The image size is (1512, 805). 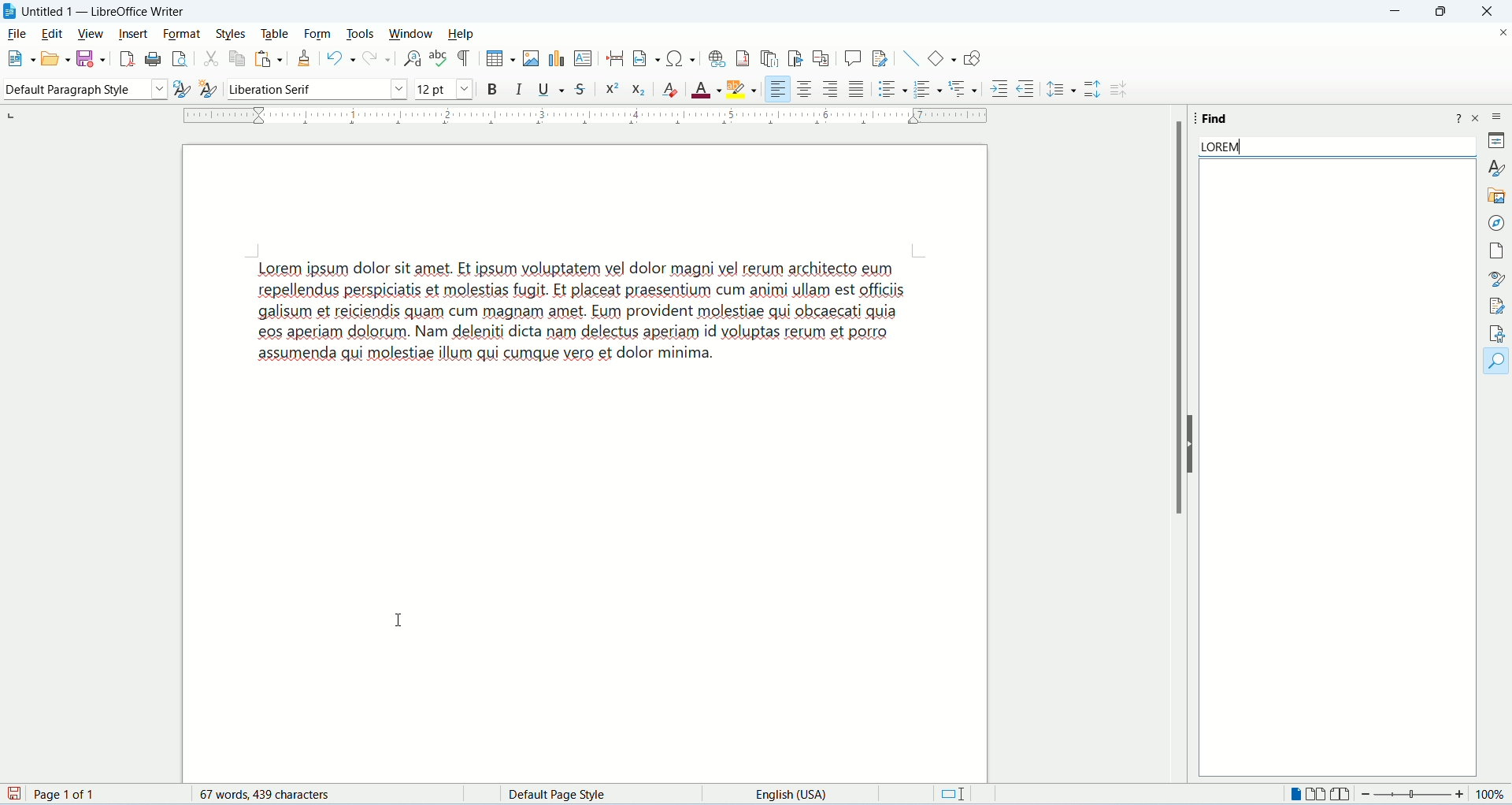 What do you see at coordinates (361, 33) in the screenshot?
I see `tools` at bounding box center [361, 33].